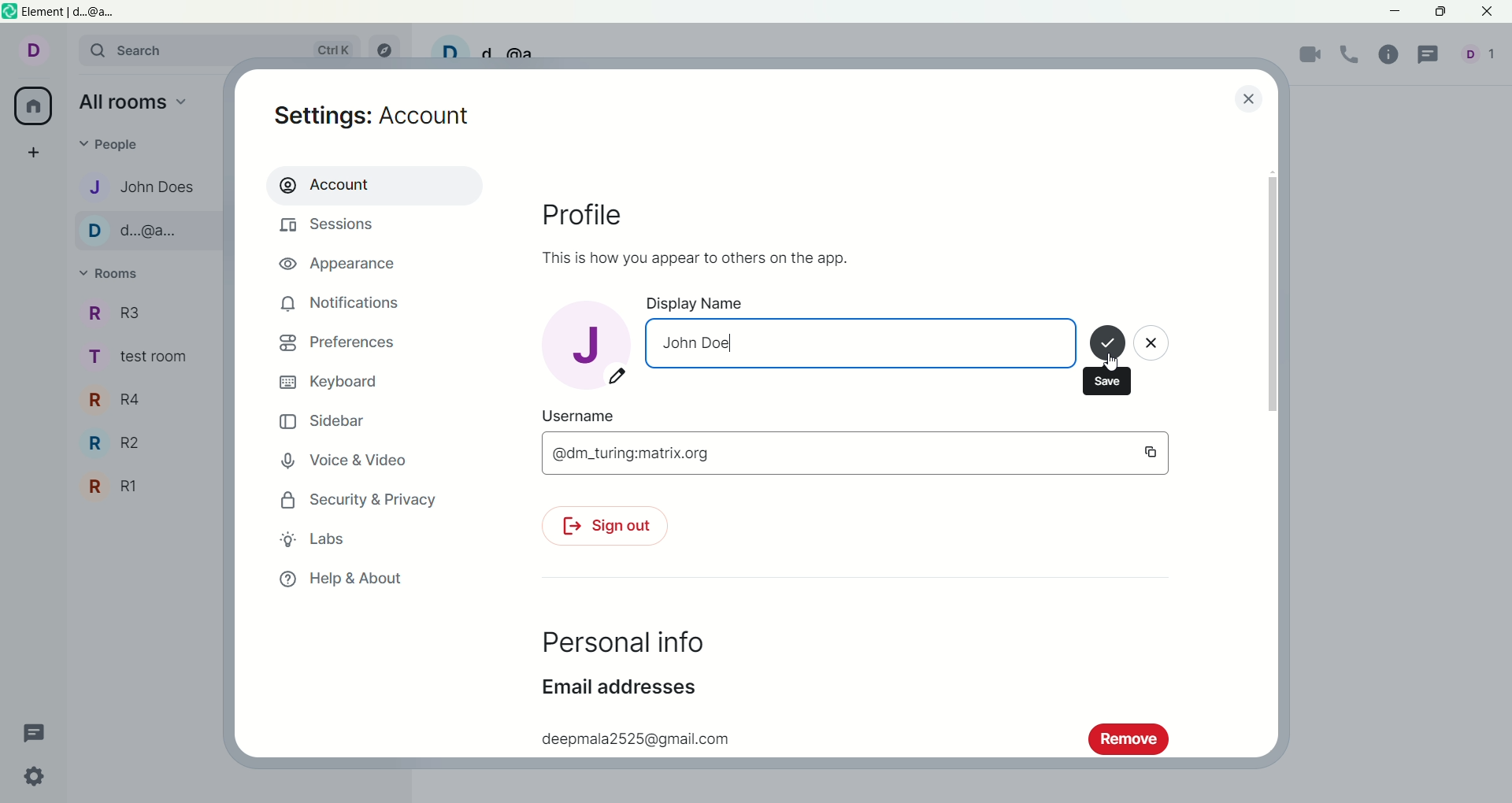  I want to click on appearance, so click(344, 266).